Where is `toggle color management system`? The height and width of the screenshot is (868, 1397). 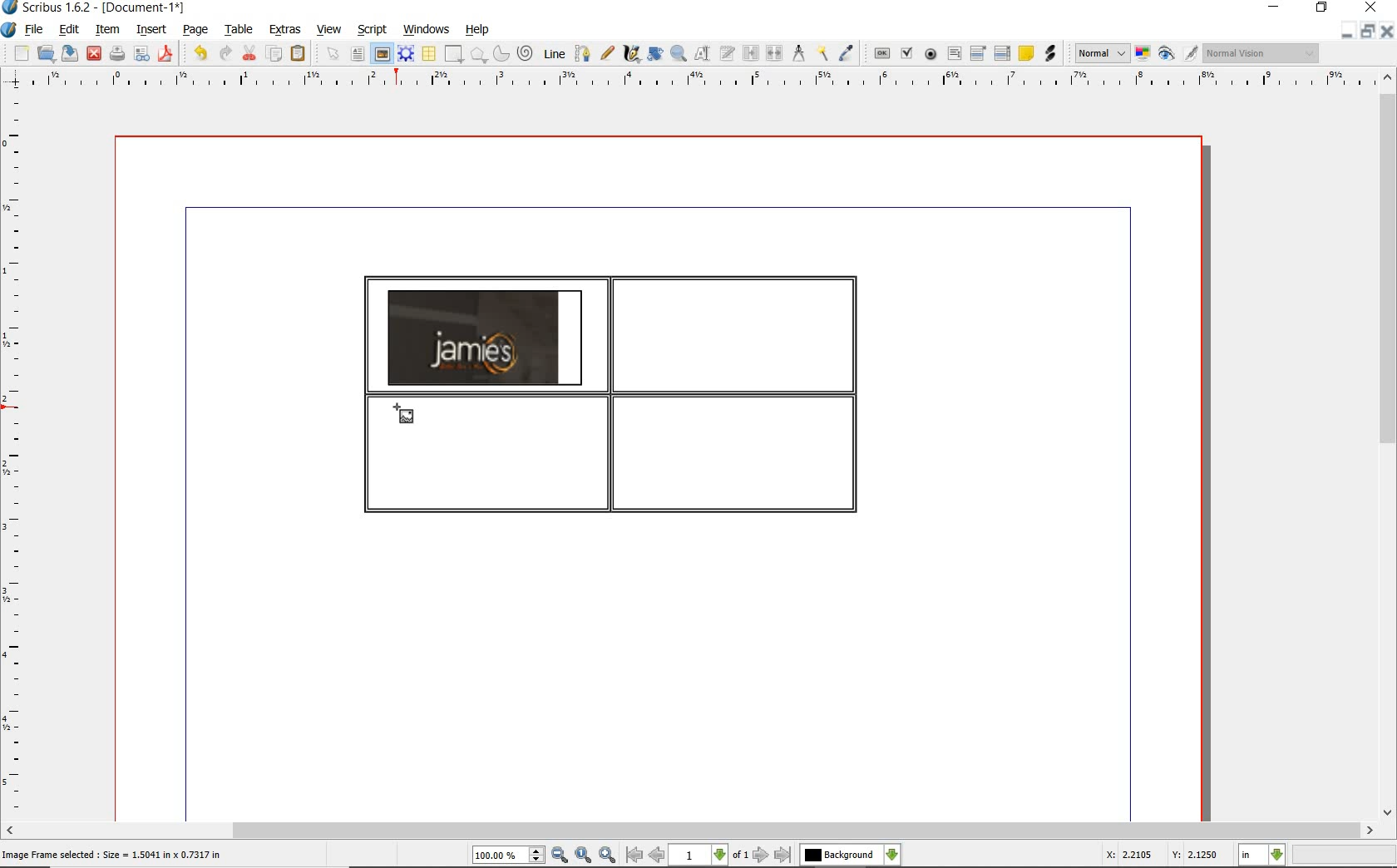 toggle color management system is located at coordinates (1144, 55).